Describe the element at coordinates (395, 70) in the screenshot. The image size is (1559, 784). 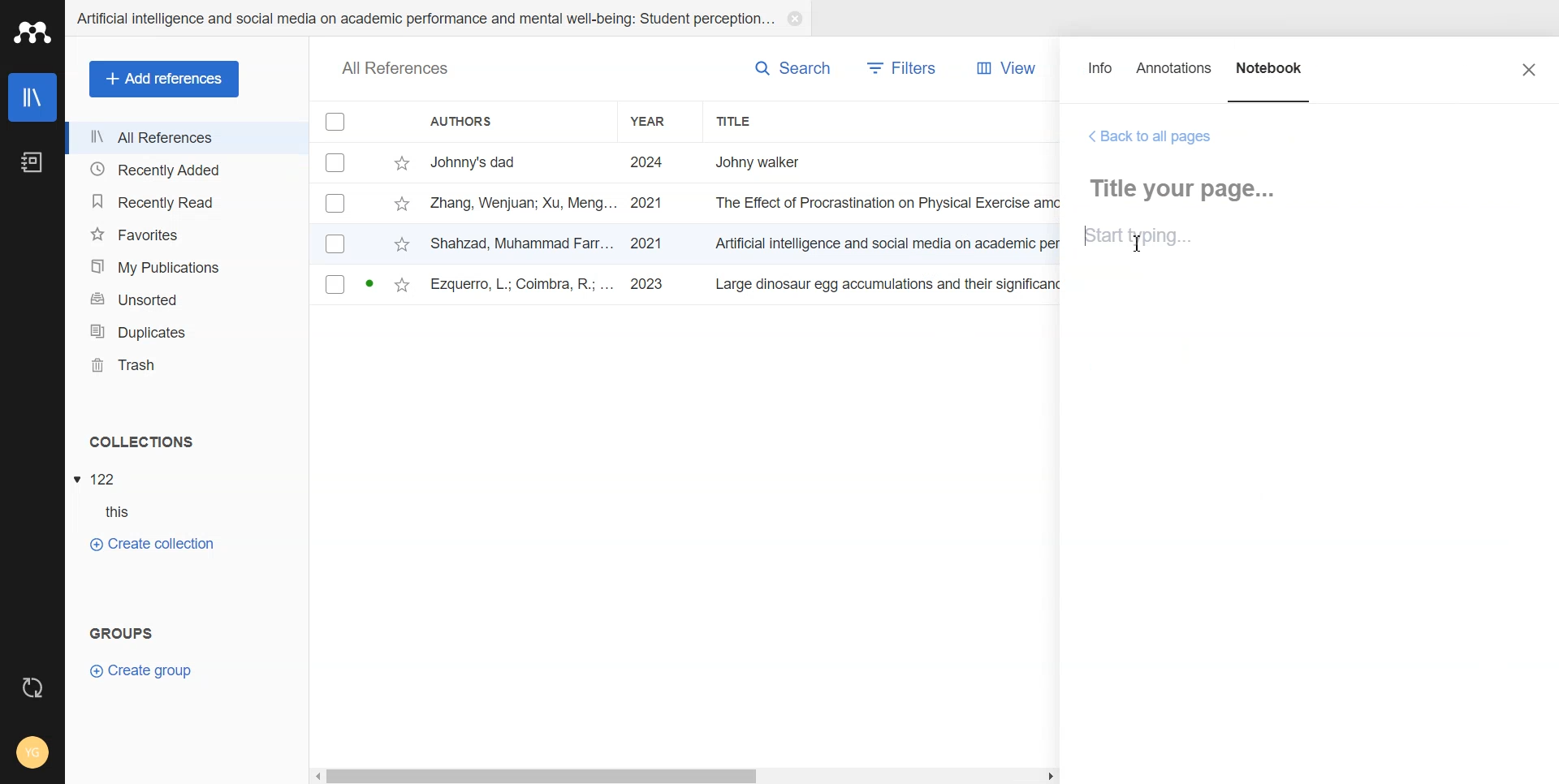
I see `all references` at that location.